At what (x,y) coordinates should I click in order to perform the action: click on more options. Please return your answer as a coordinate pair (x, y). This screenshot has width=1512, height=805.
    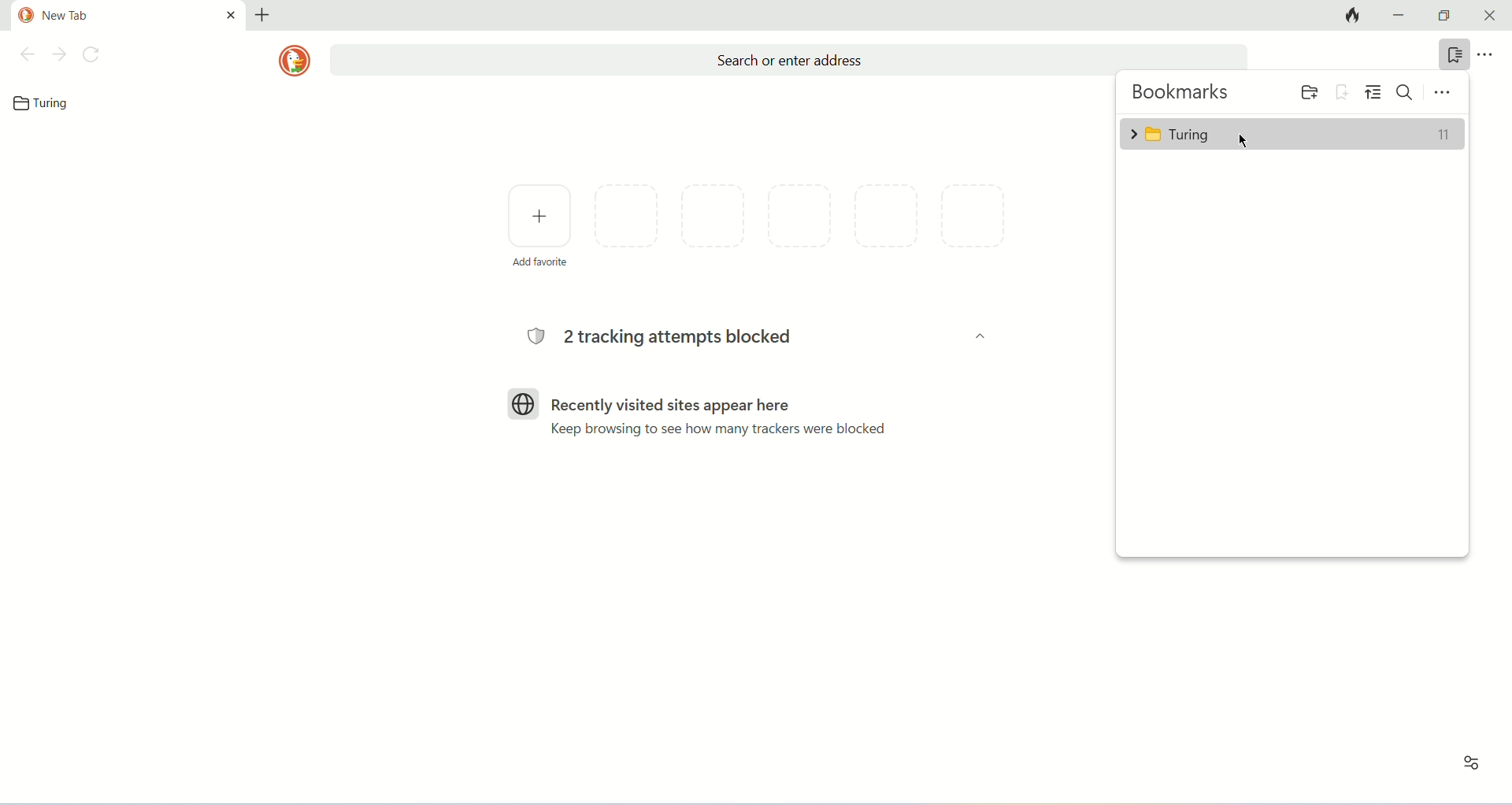
    Looking at the image, I should click on (1488, 54).